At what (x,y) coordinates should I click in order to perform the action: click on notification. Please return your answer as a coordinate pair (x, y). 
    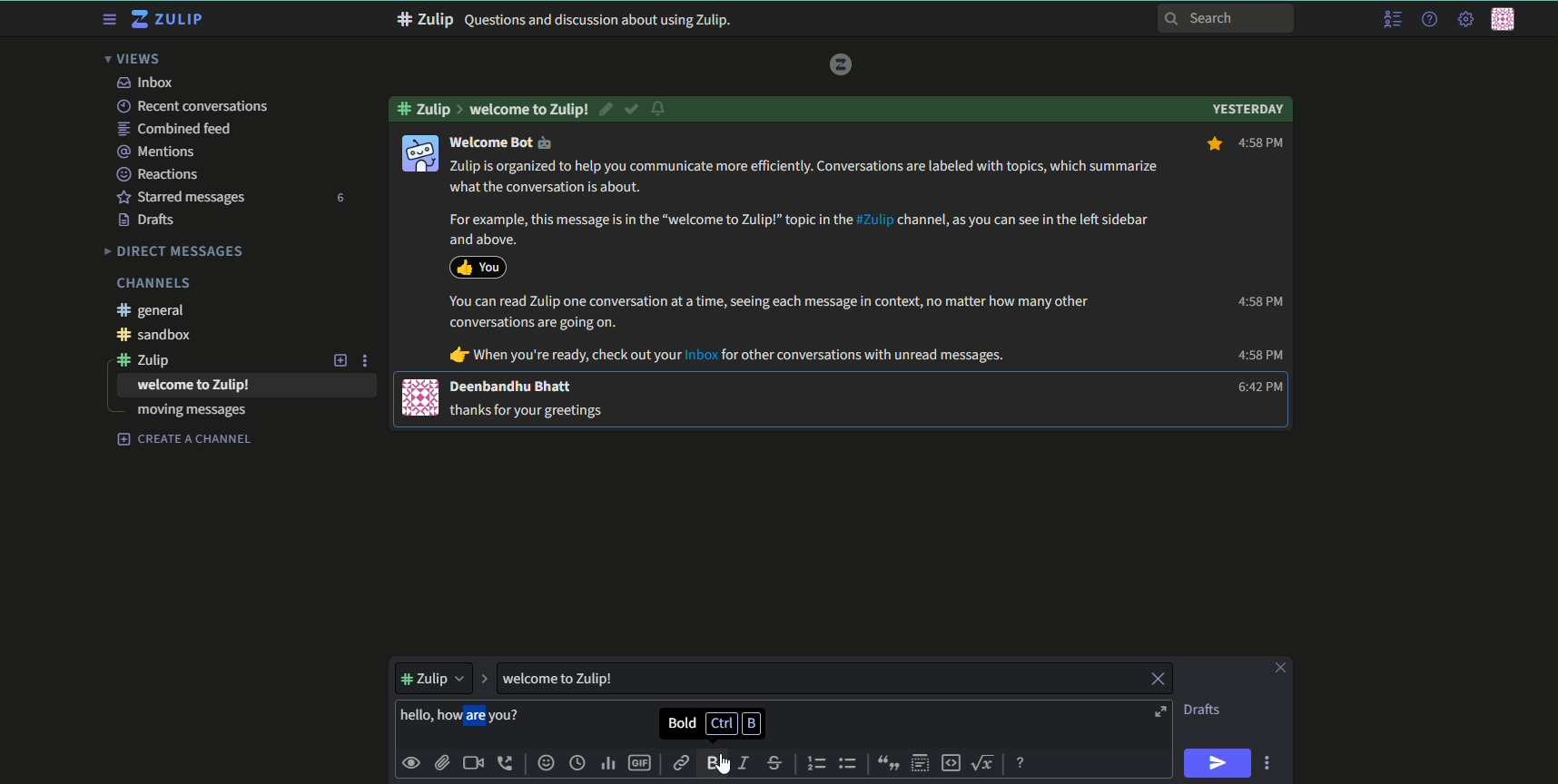
    Looking at the image, I should click on (661, 110).